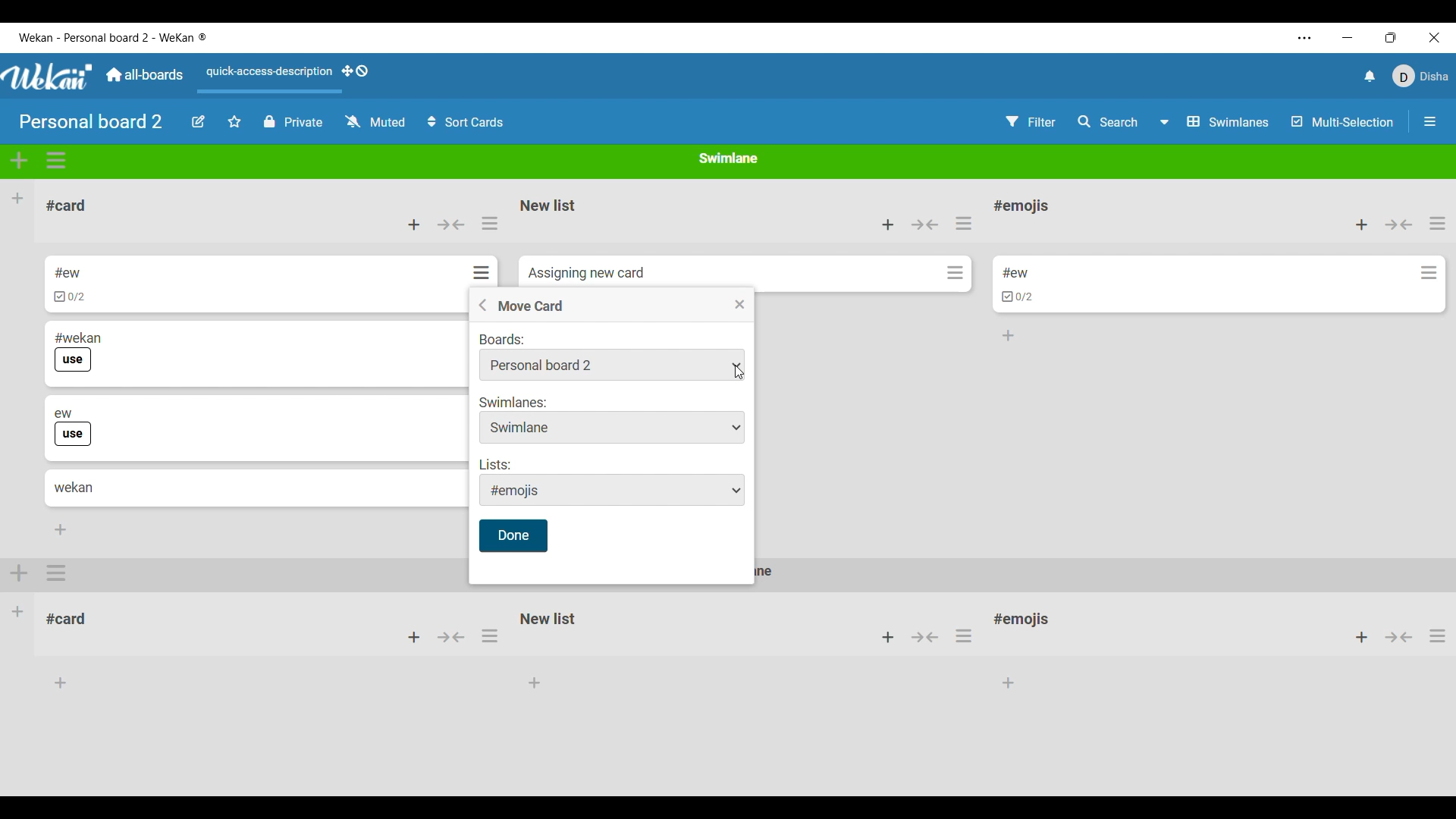 Image resolution: width=1456 pixels, height=819 pixels. Describe the element at coordinates (74, 617) in the screenshot. I see `#card` at that location.